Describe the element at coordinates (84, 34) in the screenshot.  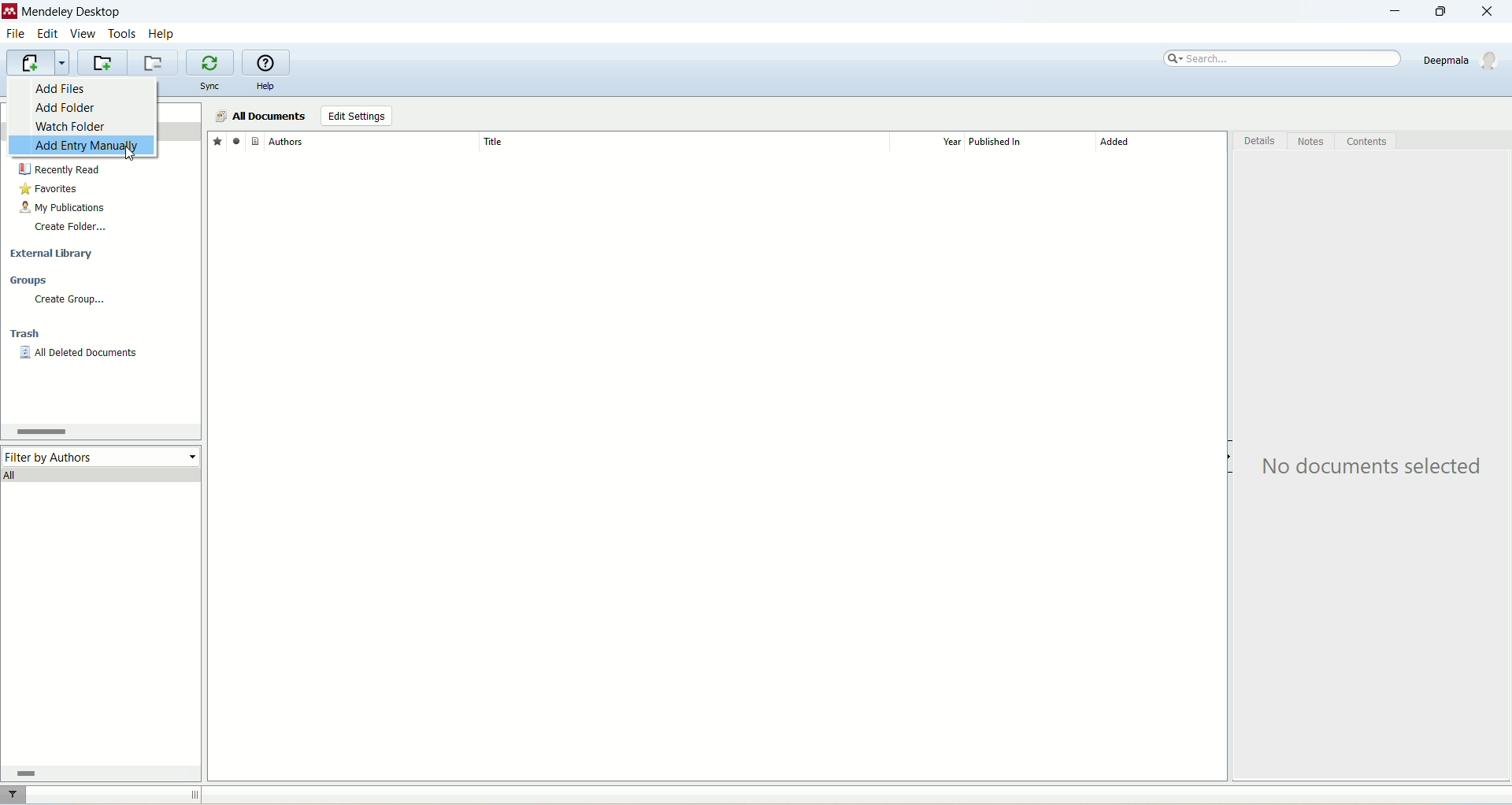
I see `view` at that location.